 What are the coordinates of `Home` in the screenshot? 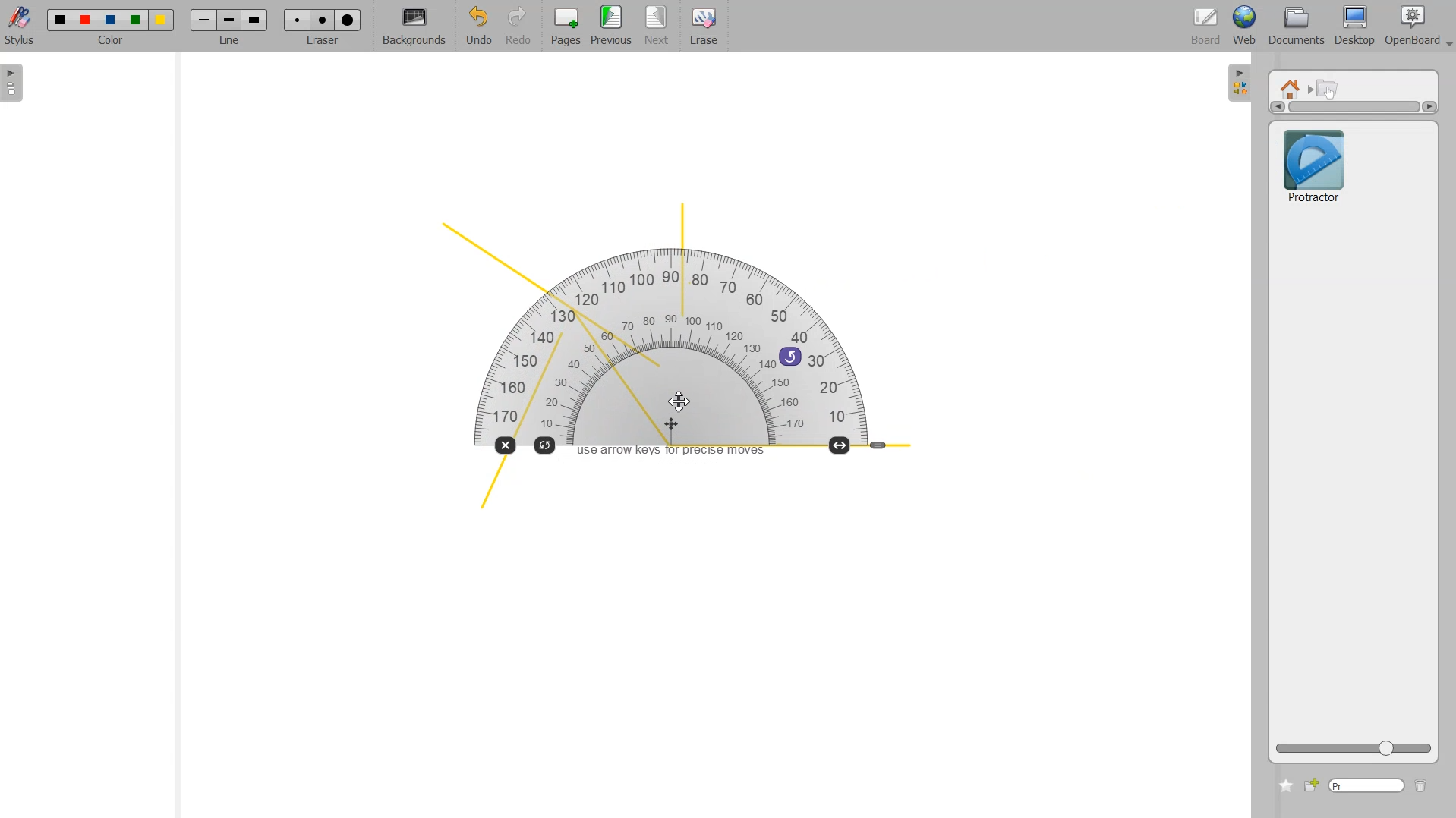 It's located at (1293, 88).